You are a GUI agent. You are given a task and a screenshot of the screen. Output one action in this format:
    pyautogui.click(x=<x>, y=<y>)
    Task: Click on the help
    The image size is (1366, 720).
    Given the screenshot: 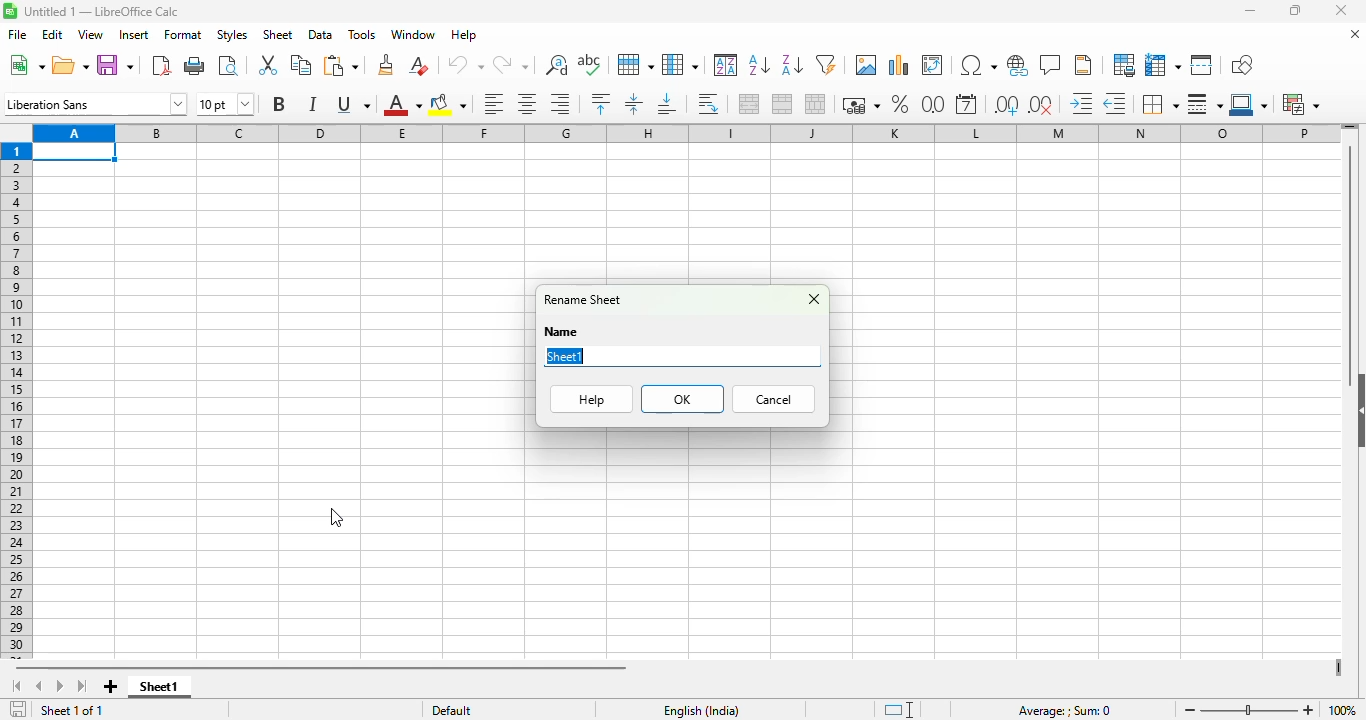 What is the action you would take?
    pyautogui.click(x=464, y=35)
    